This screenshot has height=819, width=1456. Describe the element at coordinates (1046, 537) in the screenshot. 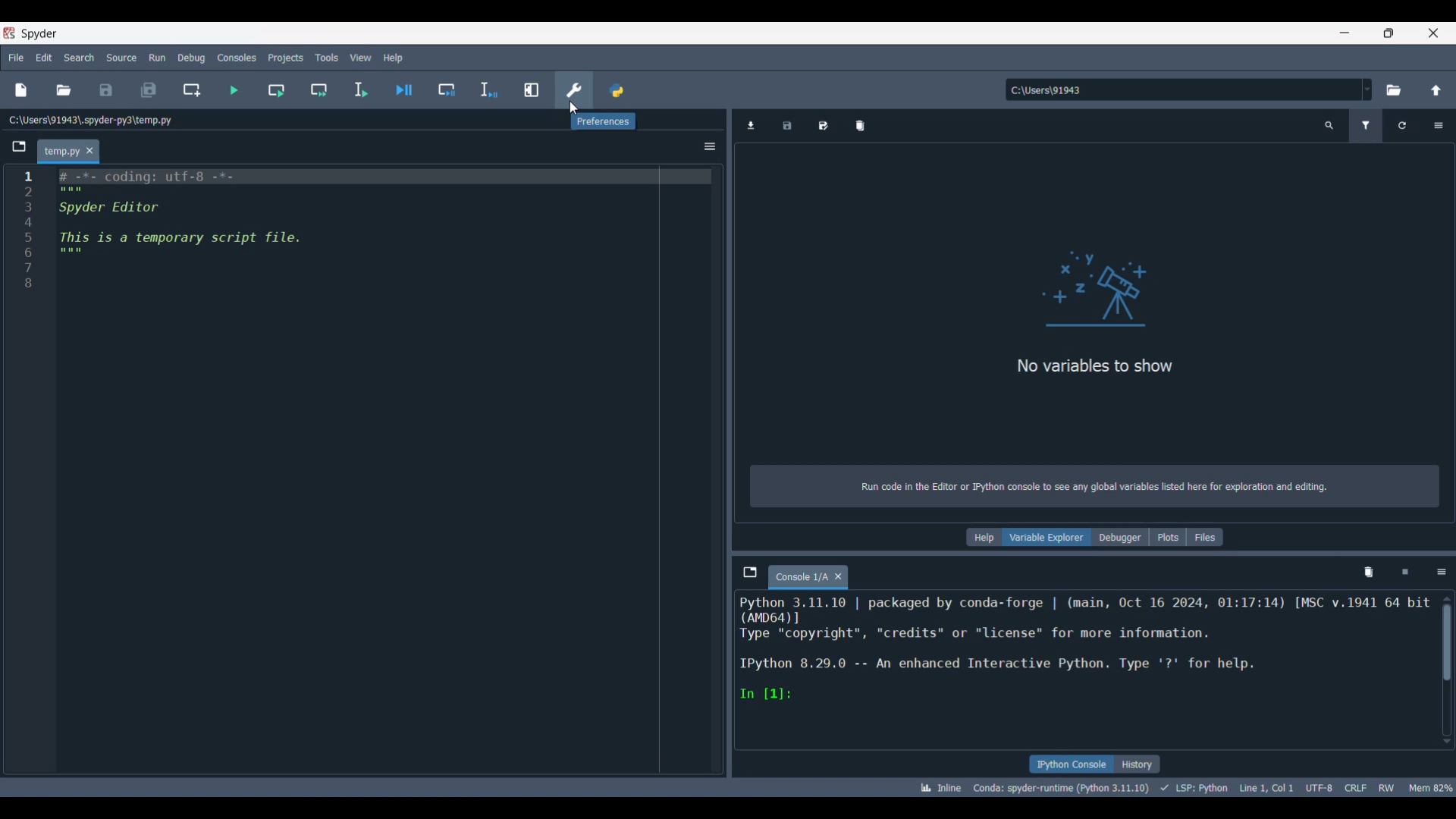

I see `Variable explorer` at that location.